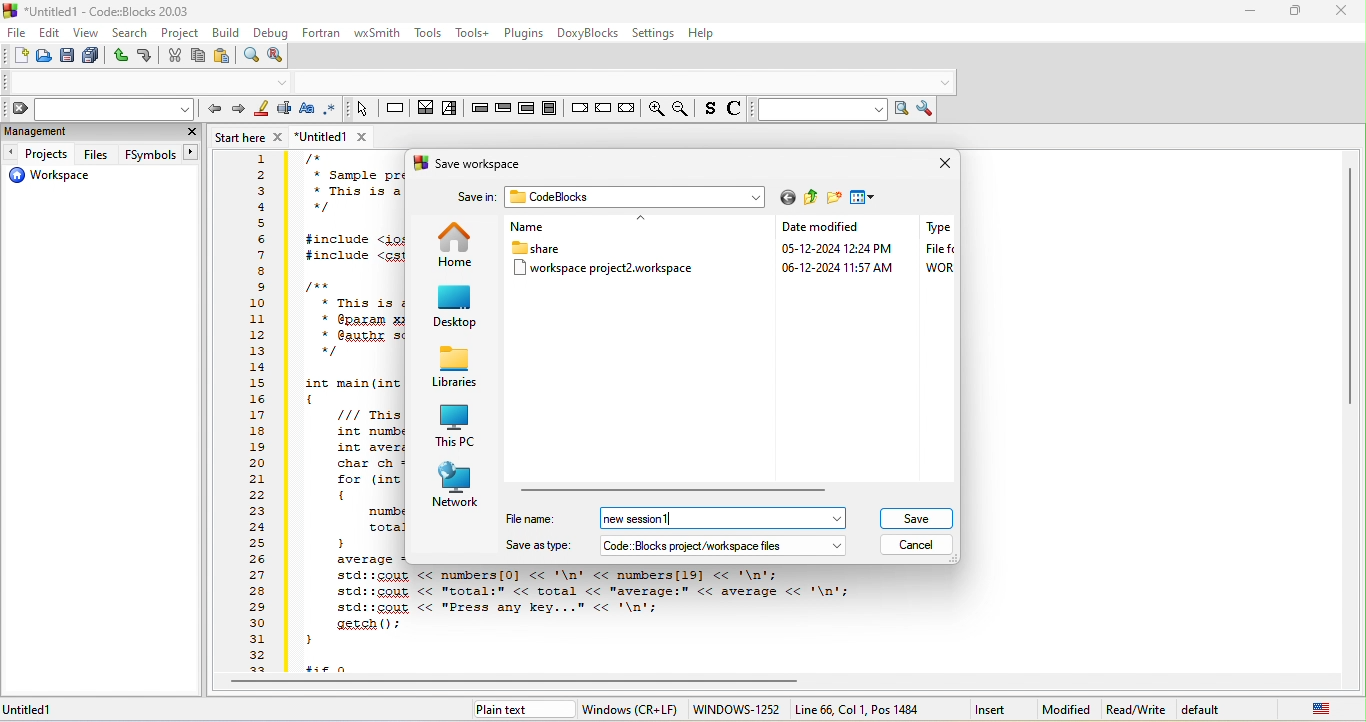 The image size is (1366, 722). What do you see at coordinates (426, 111) in the screenshot?
I see `decision` at bounding box center [426, 111].